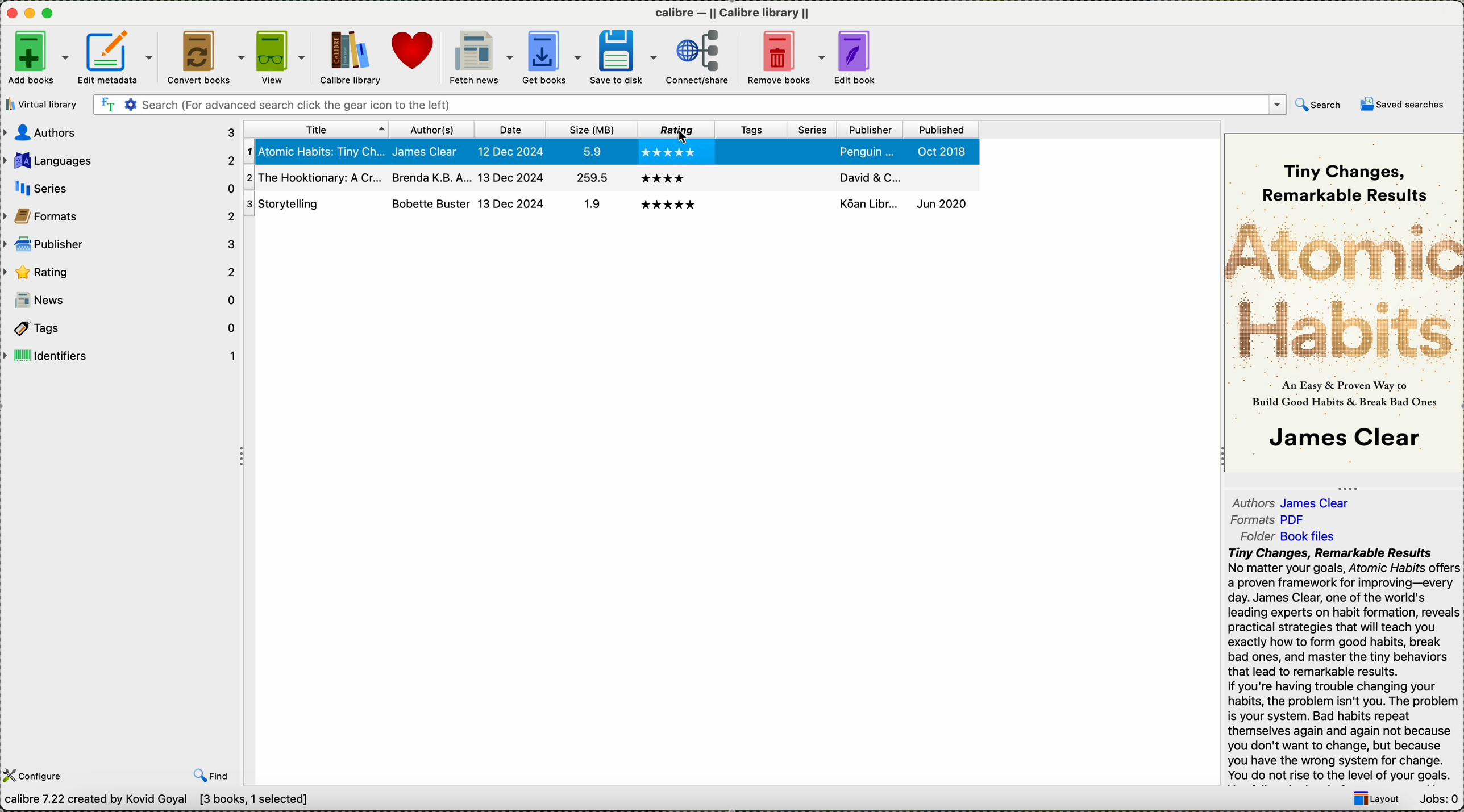  Describe the element at coordinates (1300, 519) in the screenshot. I see `PDF` at that location.